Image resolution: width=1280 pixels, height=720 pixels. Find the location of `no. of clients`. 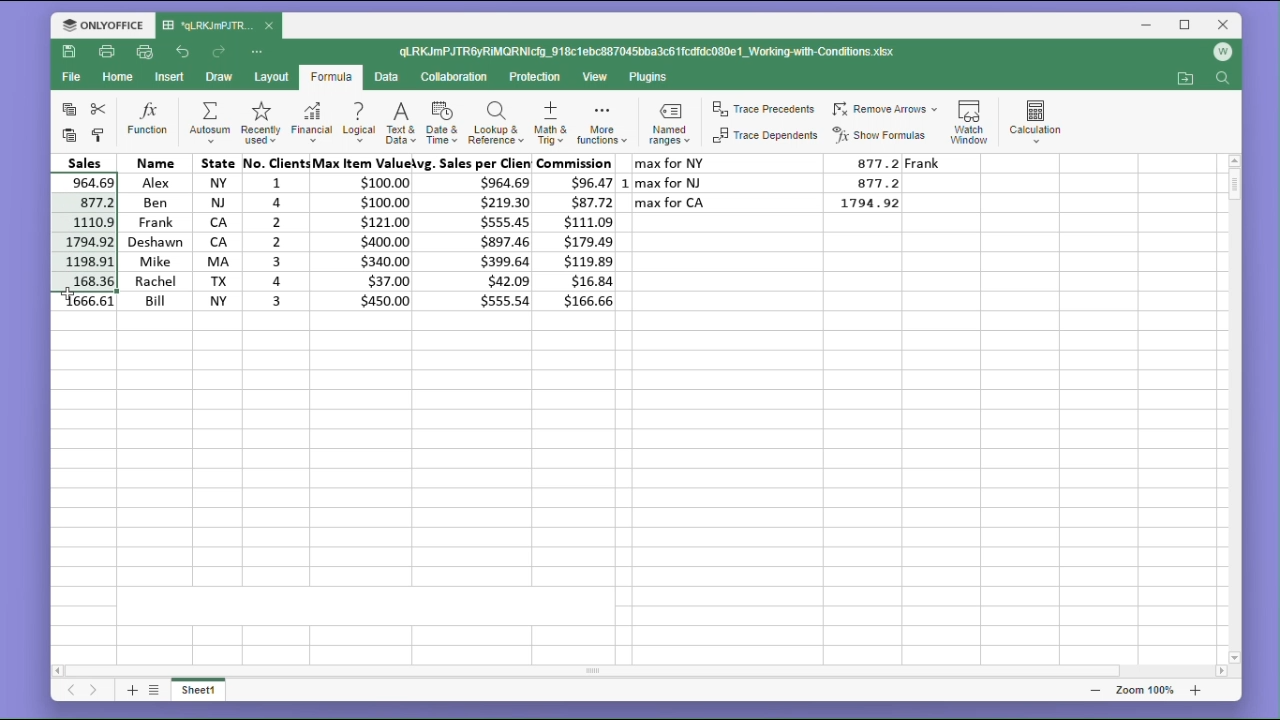

no. of clients is located at coordinates (273, 233).